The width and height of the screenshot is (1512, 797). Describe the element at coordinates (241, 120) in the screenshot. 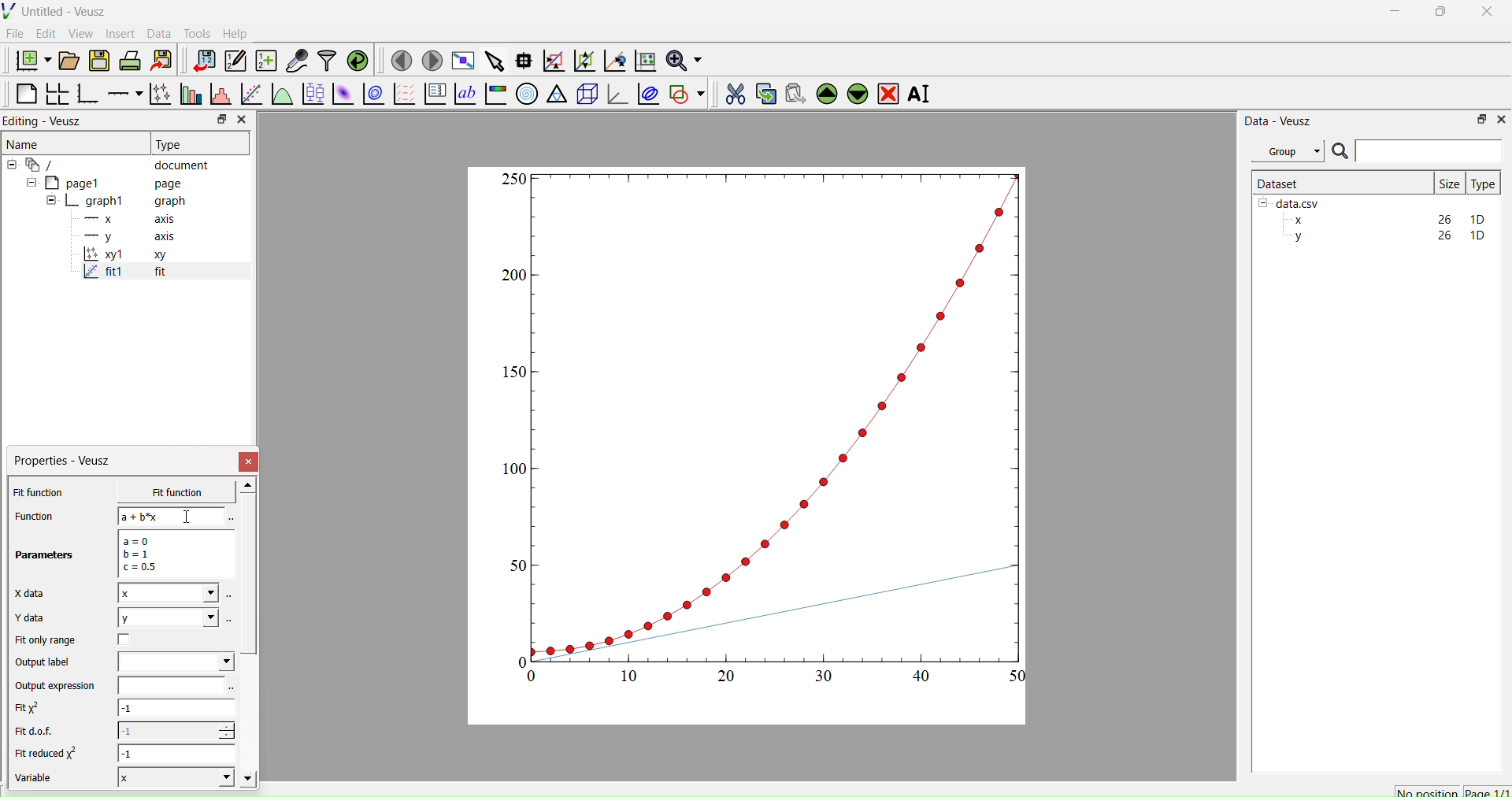

I see `Close` at that location.